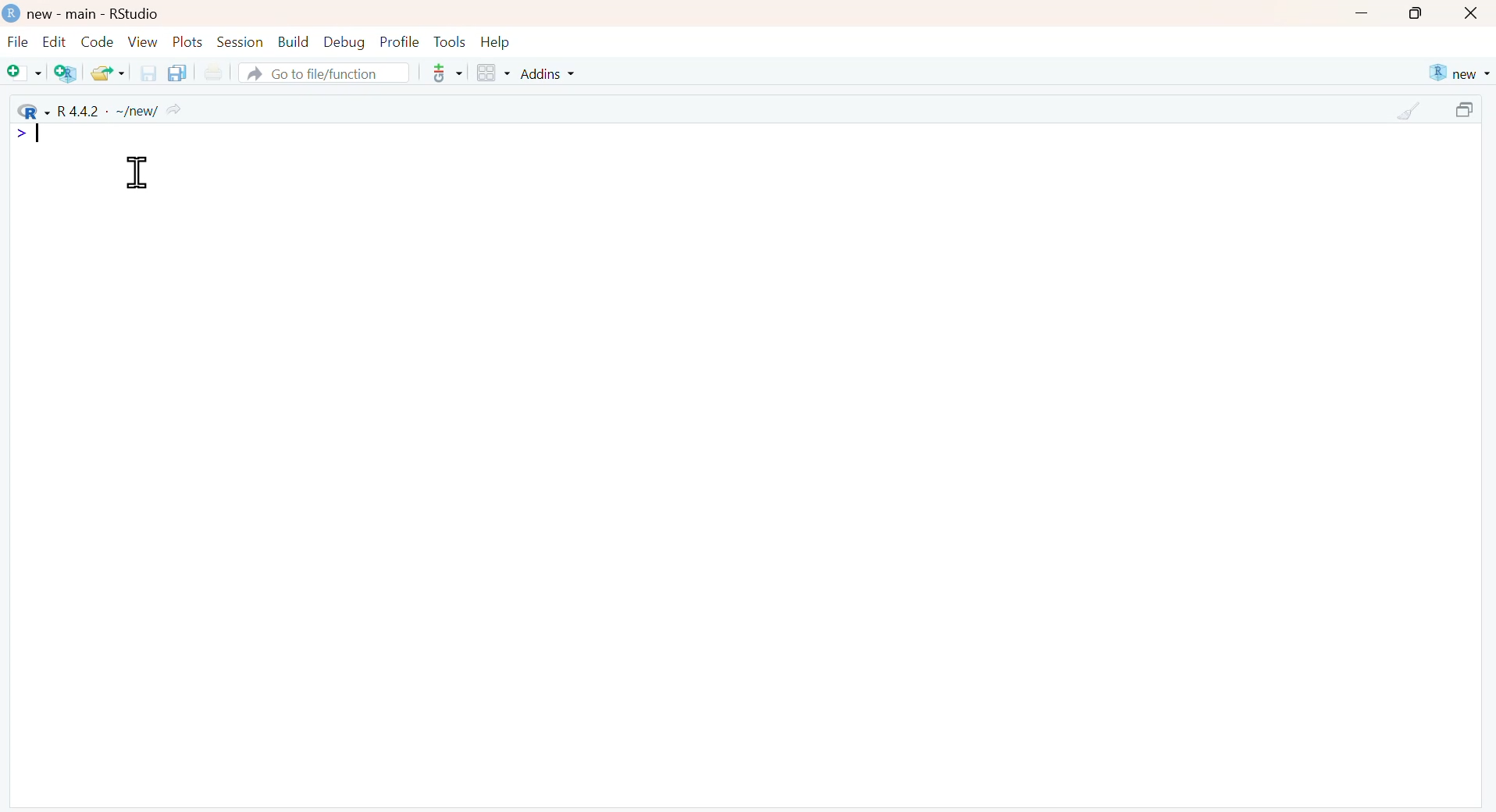  What do you see at coordinates (442, 73) in the screenshot?
I see `more options` at bounding box center [442, 73].